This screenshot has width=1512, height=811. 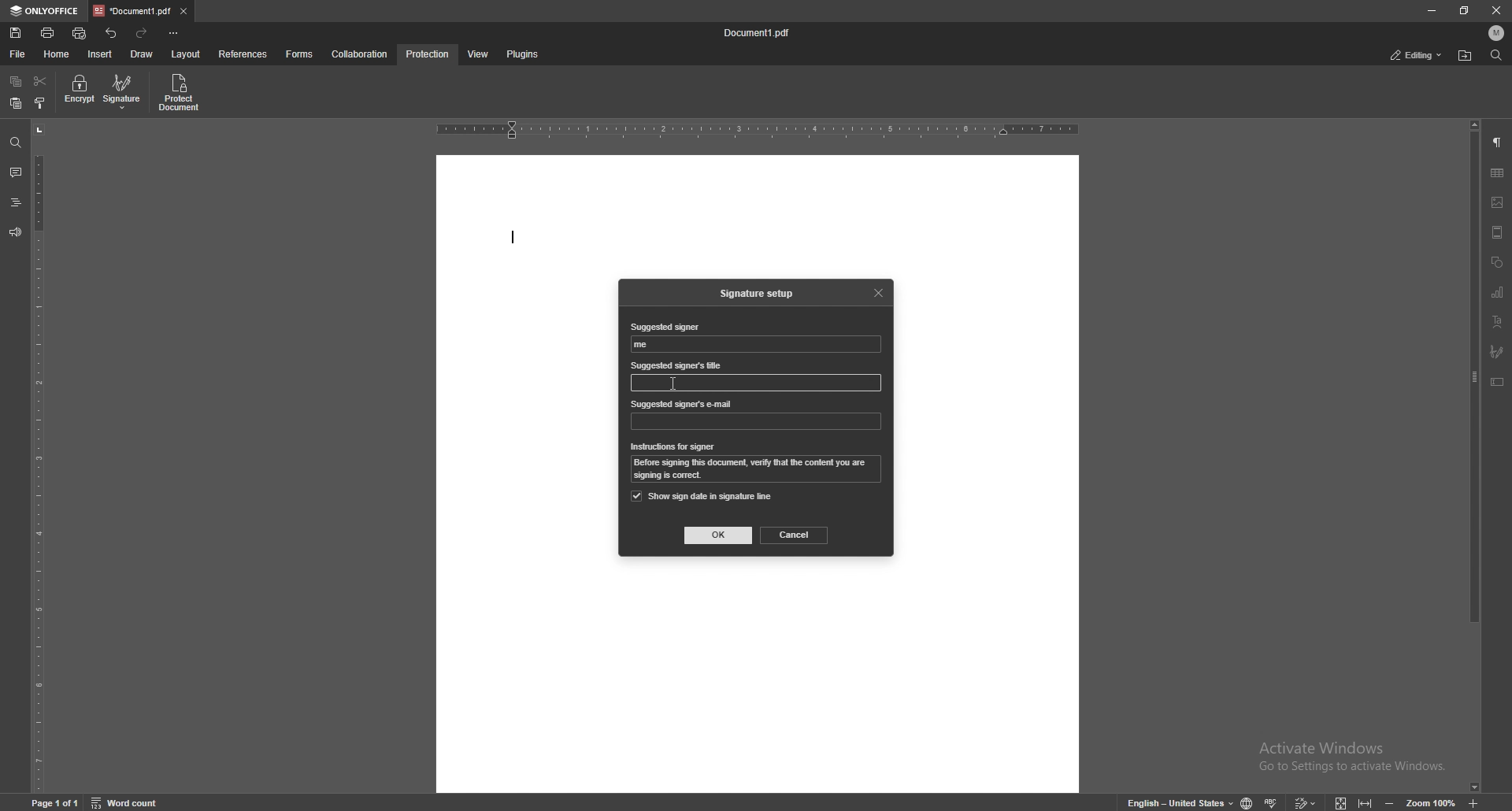 What do you see at coordinates (16, 143) in the screenshot?
I see `find` at bounding box center [16, 143].